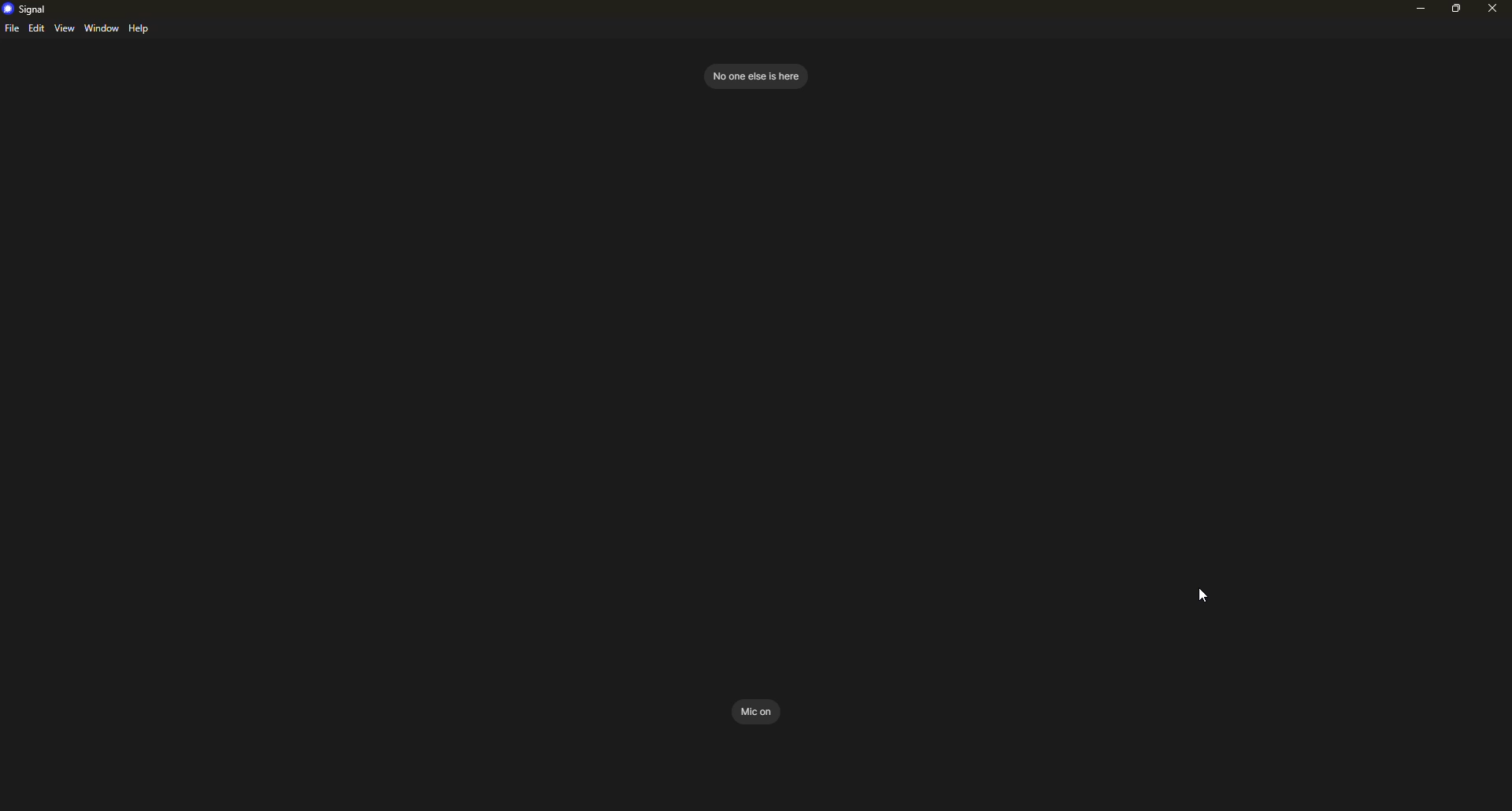 This screenshot has width=1512, height=811. I want to click on view, so click(65, 28).